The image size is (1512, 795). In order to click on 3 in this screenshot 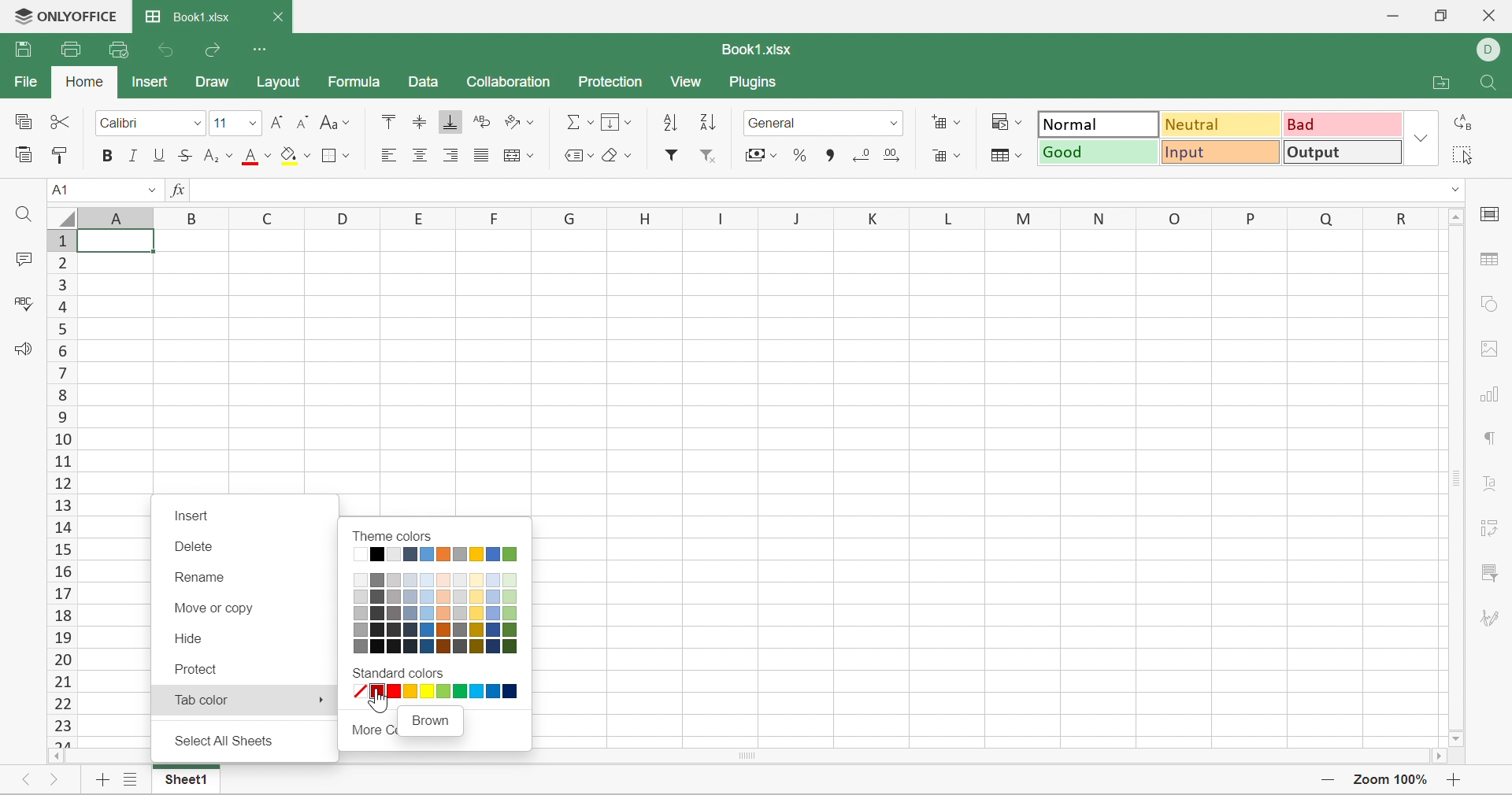, I will do `click(62, 284)`.